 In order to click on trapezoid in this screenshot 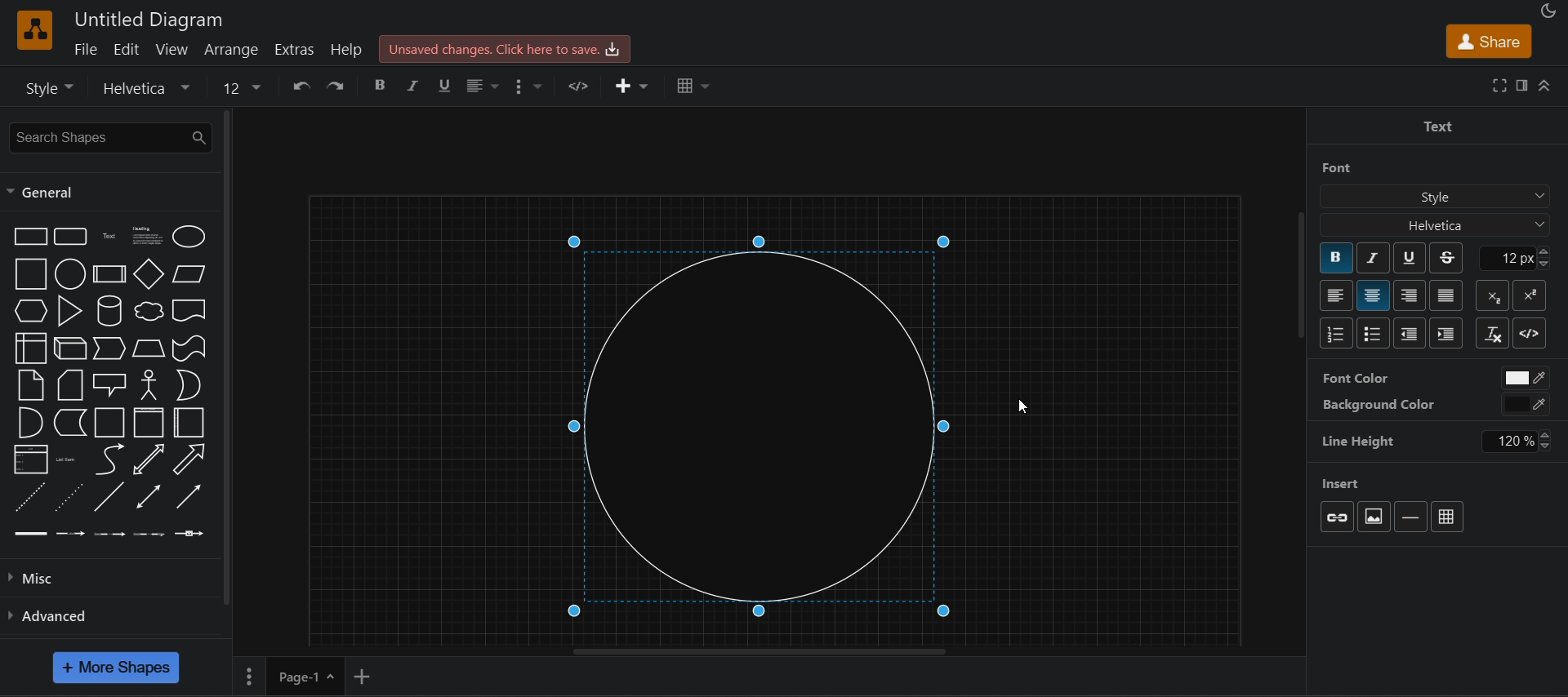, I will do `click(150, 352)`.